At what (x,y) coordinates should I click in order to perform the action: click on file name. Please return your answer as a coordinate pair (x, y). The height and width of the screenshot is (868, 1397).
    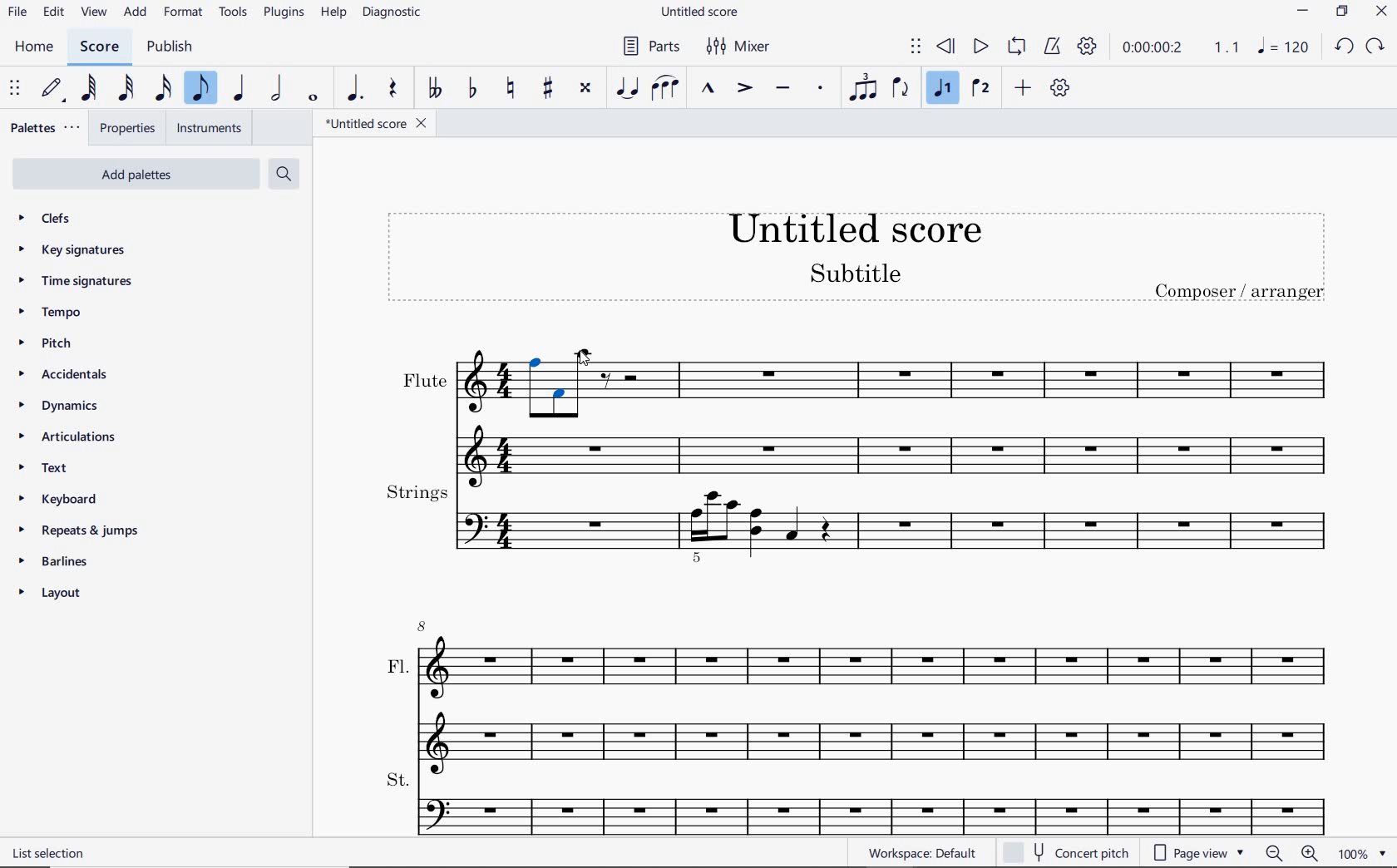
    Looking at the image, I should click on (702, 11).